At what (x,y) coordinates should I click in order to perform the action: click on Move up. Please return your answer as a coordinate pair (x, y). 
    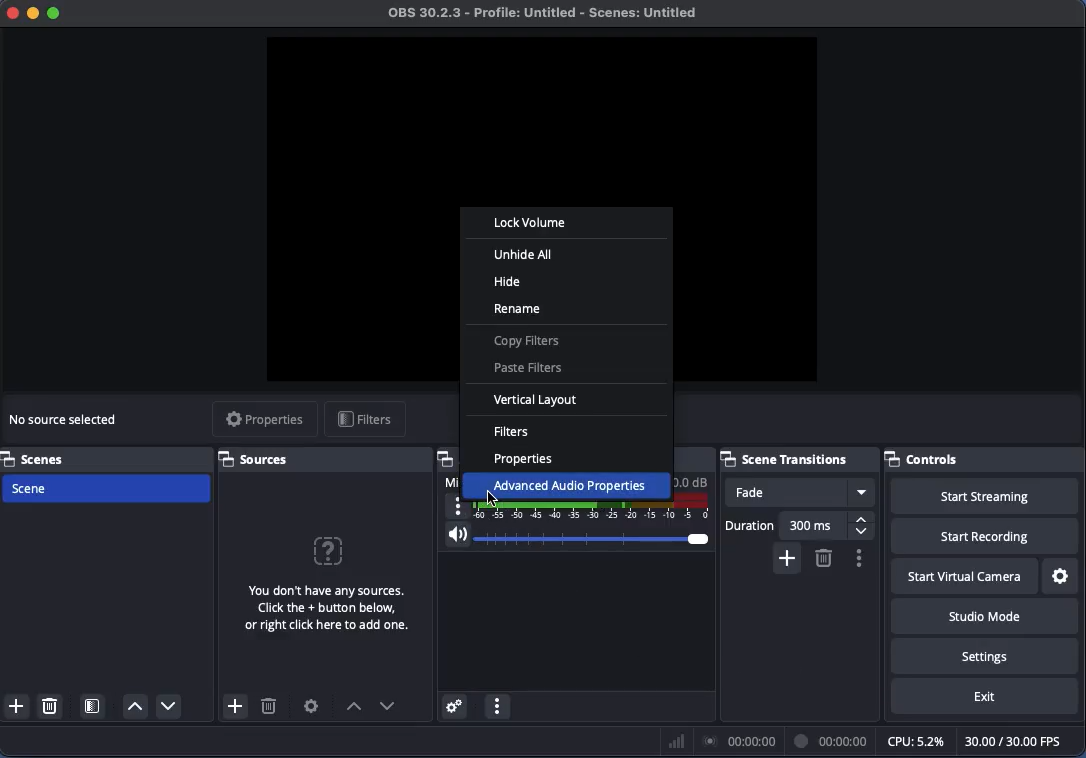
    Looking at the image, I should click on (135, 707).